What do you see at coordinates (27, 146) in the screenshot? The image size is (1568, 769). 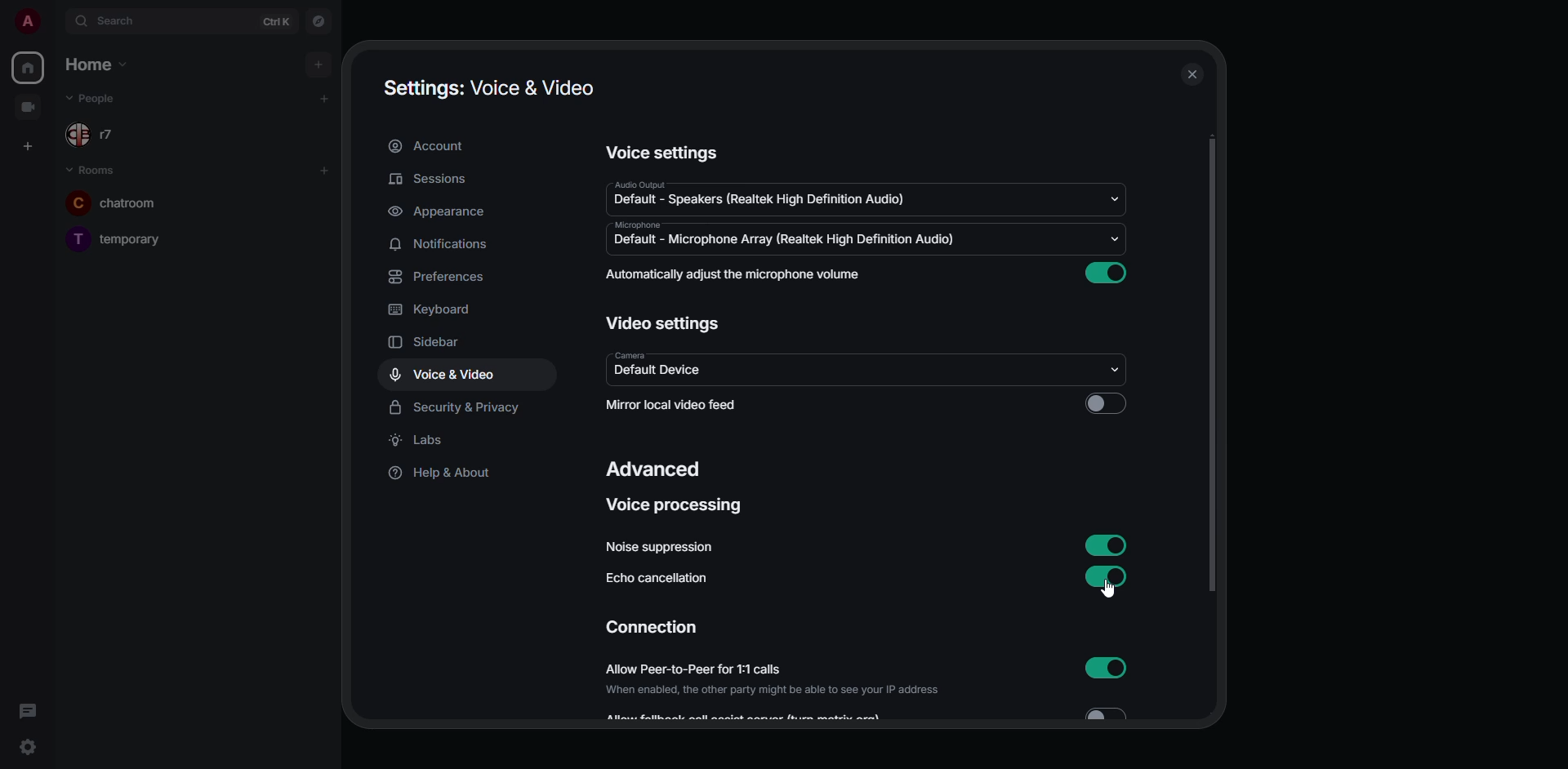 I see `create space` at bounding box center [27, 146].